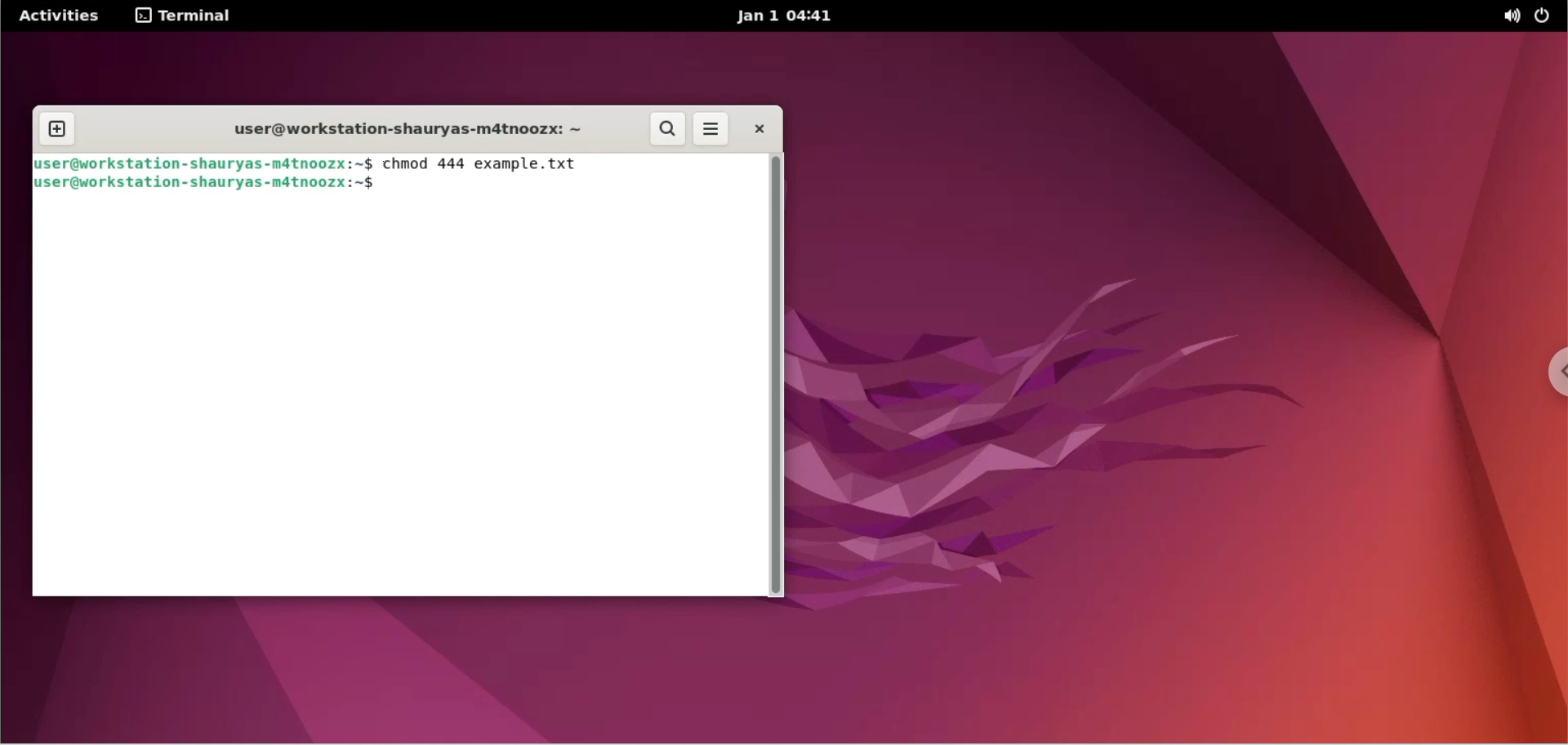 This screenshot has width=1568, height=745. Describe the element at coordinates (1548, 379) in the screenshot. I see `chrome options` at that location.